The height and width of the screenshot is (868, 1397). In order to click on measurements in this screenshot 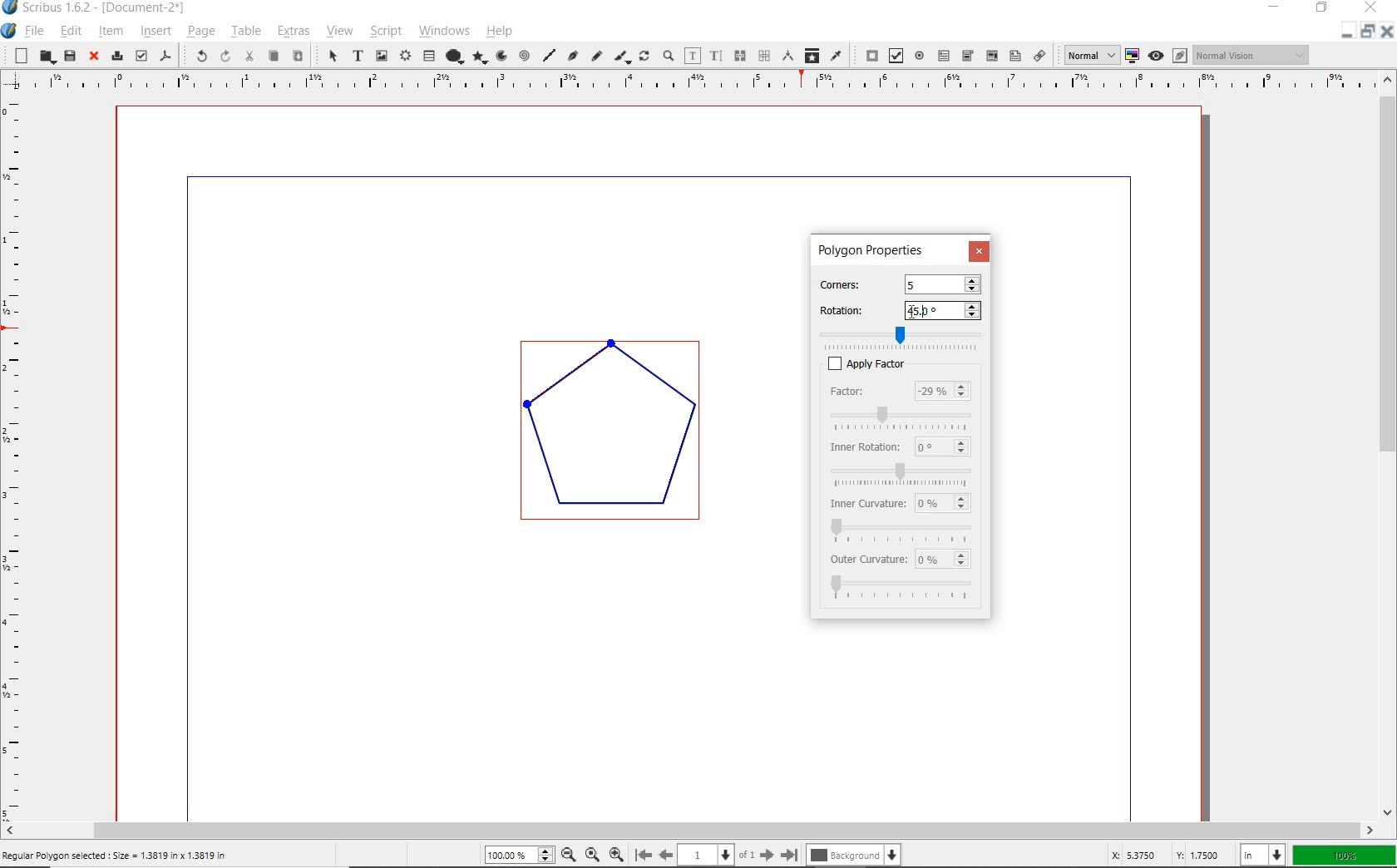, I will do `click(789, 56)`.